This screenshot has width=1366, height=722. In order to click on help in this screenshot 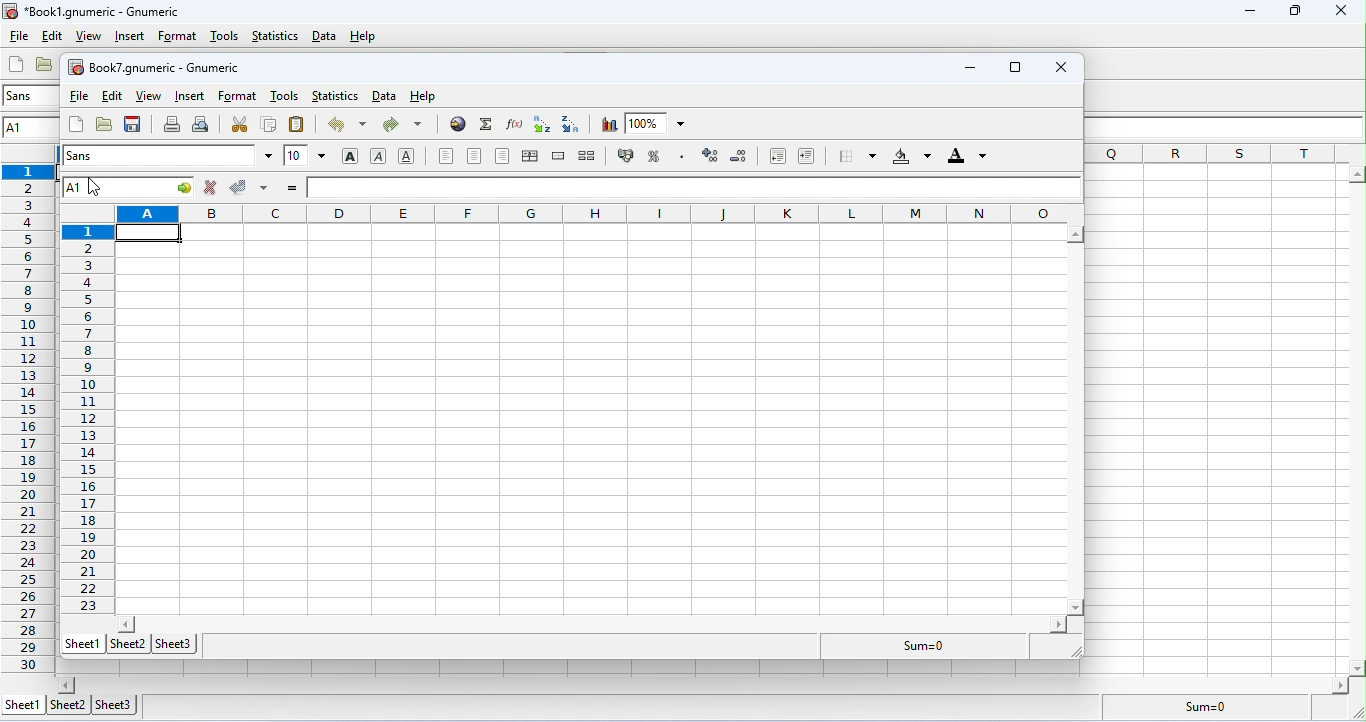, I will do `click(362, 36)`.